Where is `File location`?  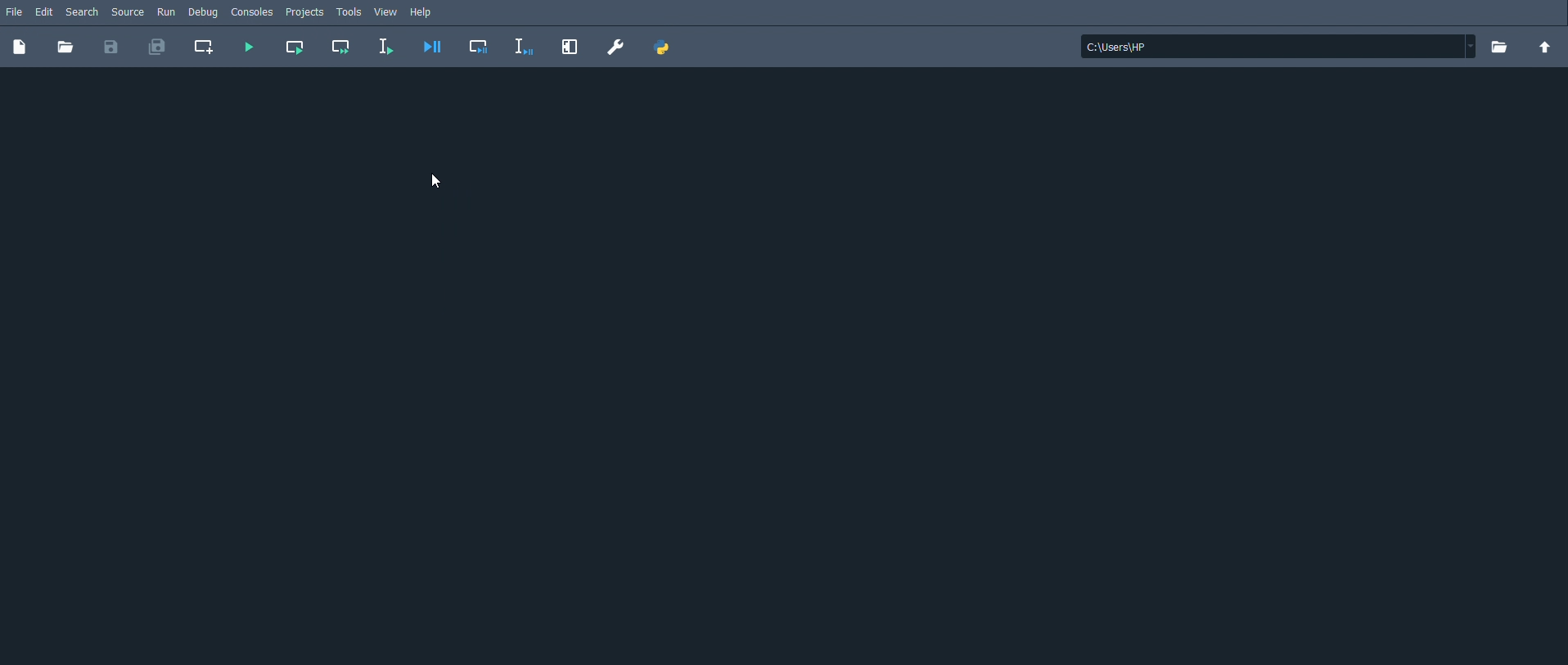 File location is located at coordinates (1277, 47).